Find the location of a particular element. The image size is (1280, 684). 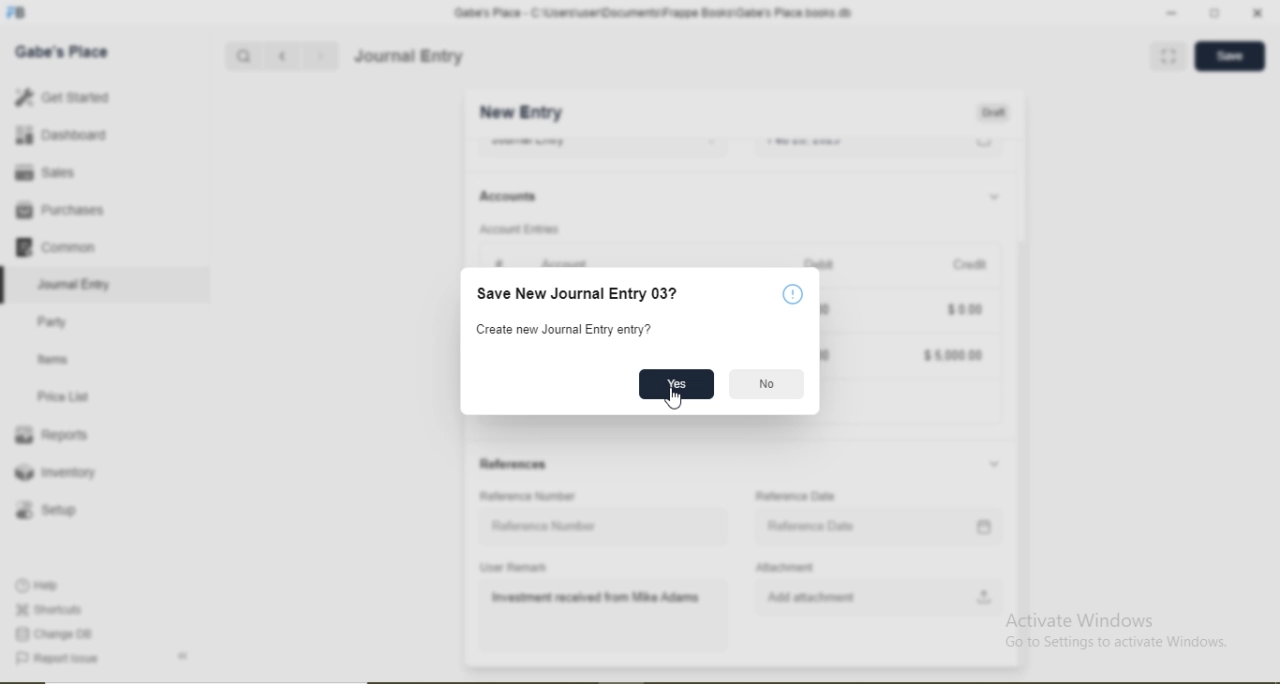

full screen is located at coordinates (1215, 13).